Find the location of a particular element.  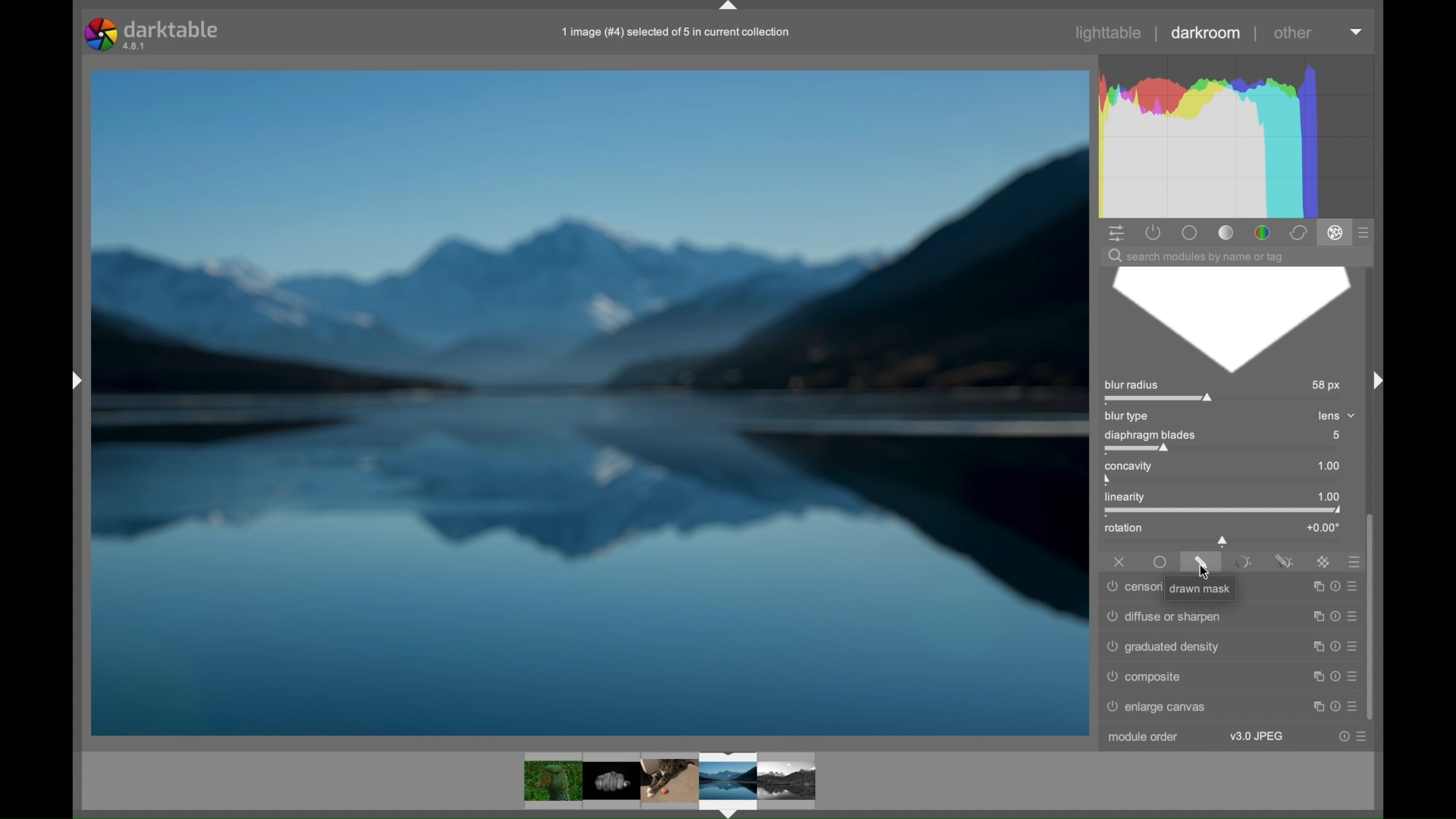

tone is located at coordinates (1225, 232).